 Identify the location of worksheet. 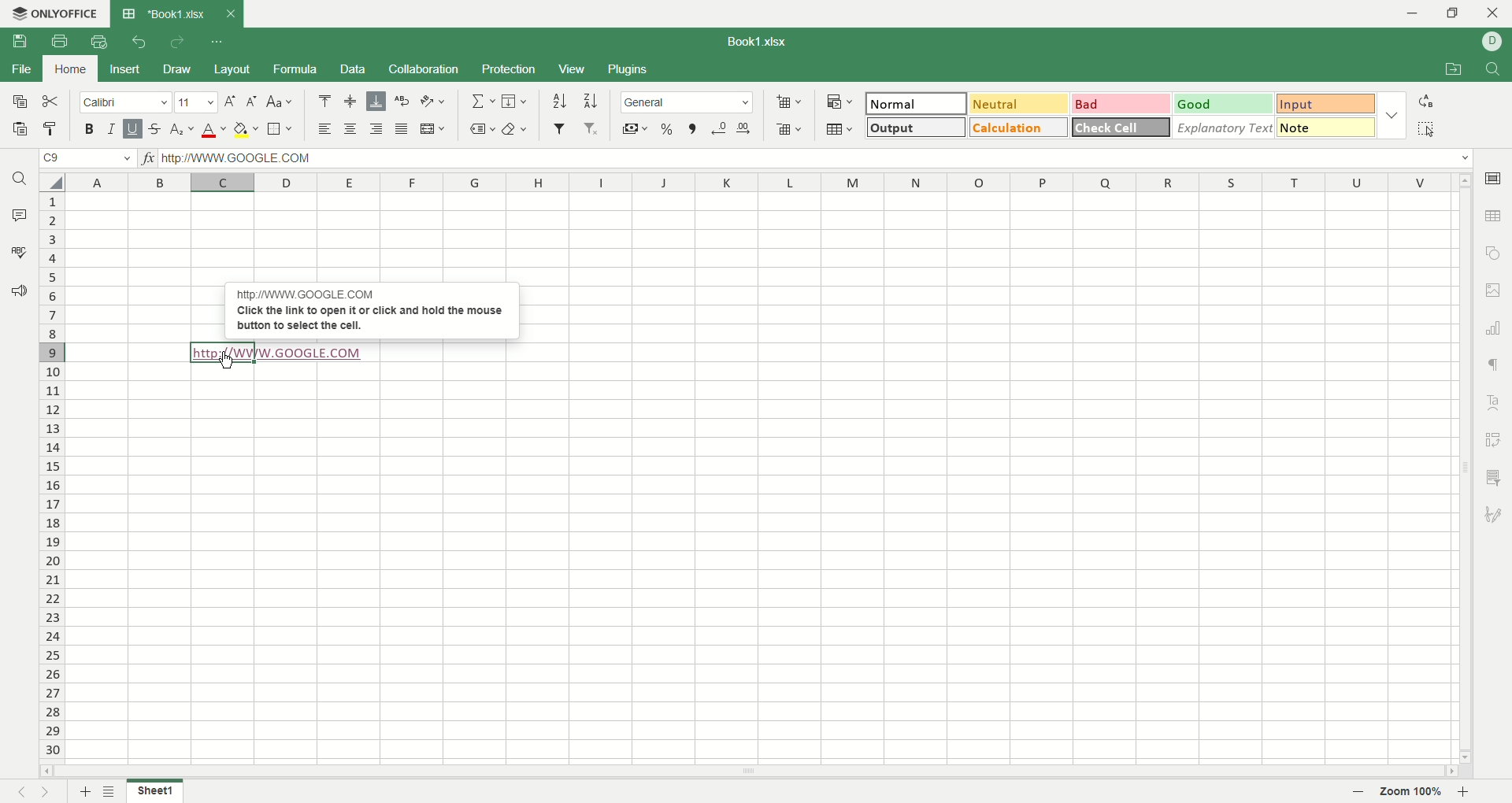
(758, 478).